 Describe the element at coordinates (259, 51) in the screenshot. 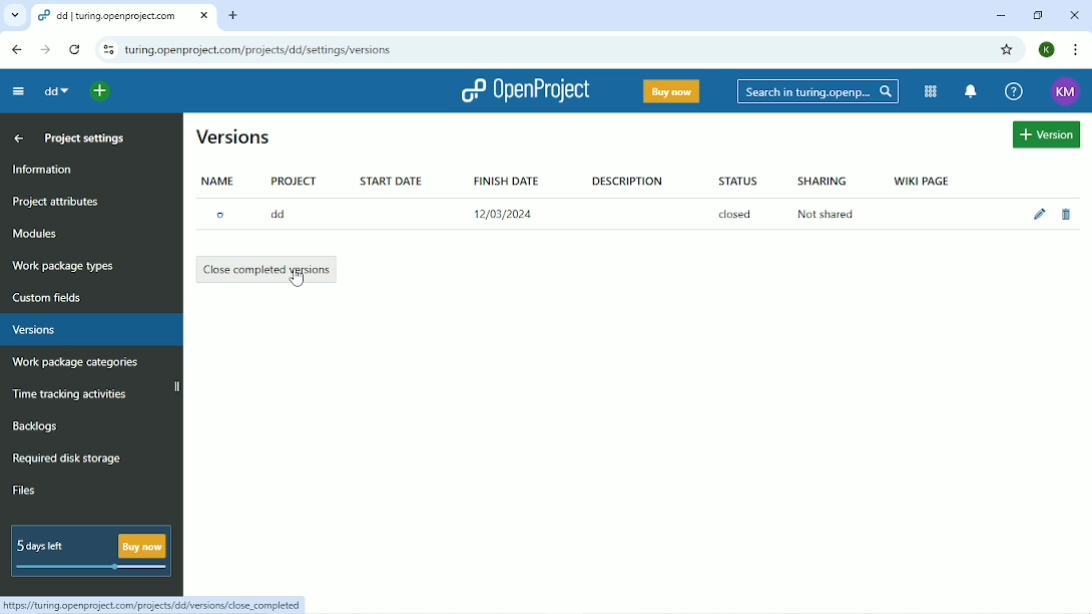

I see `Site` at that location.